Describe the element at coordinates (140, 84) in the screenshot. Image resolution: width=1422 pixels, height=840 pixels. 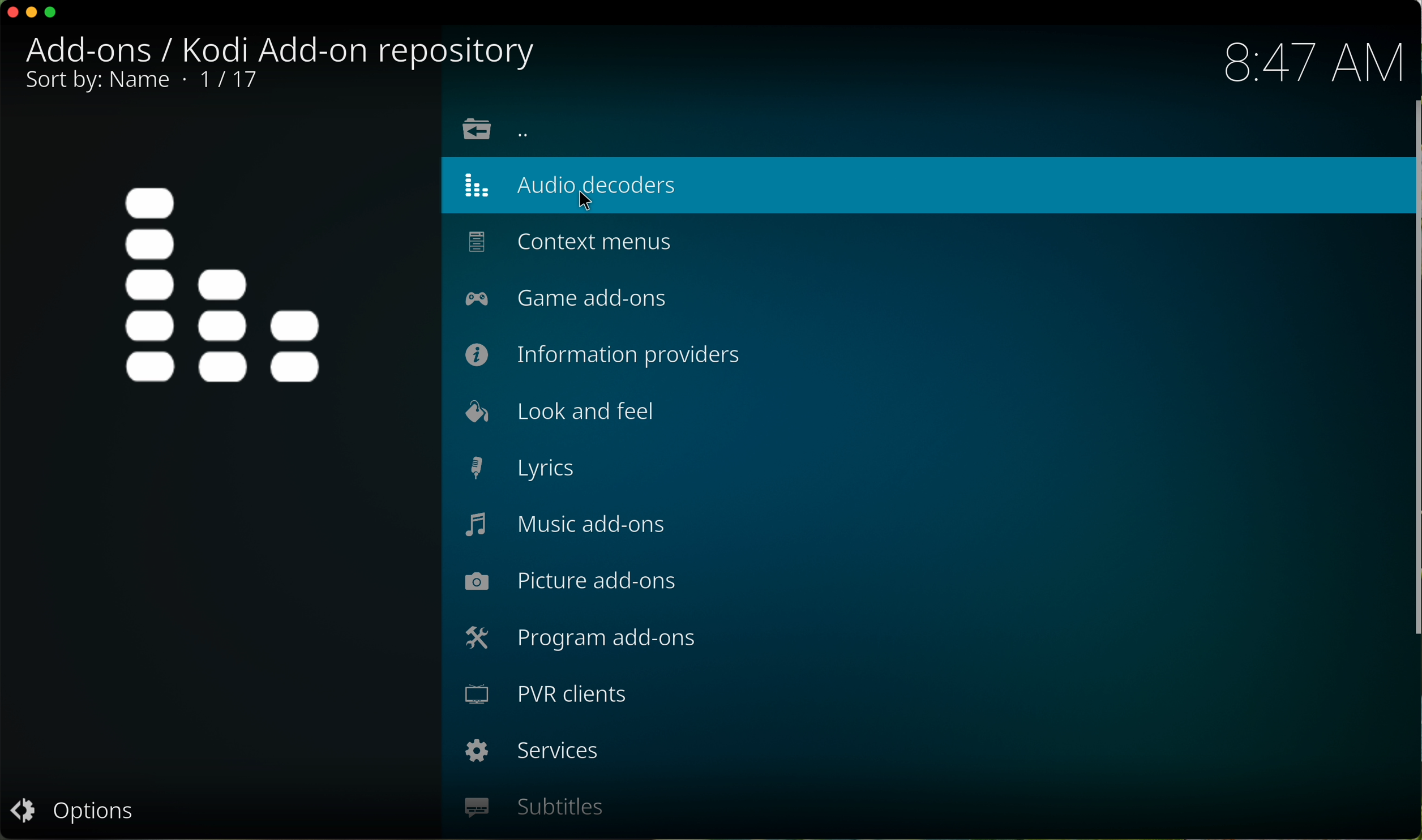
I see `1/17` at that location.